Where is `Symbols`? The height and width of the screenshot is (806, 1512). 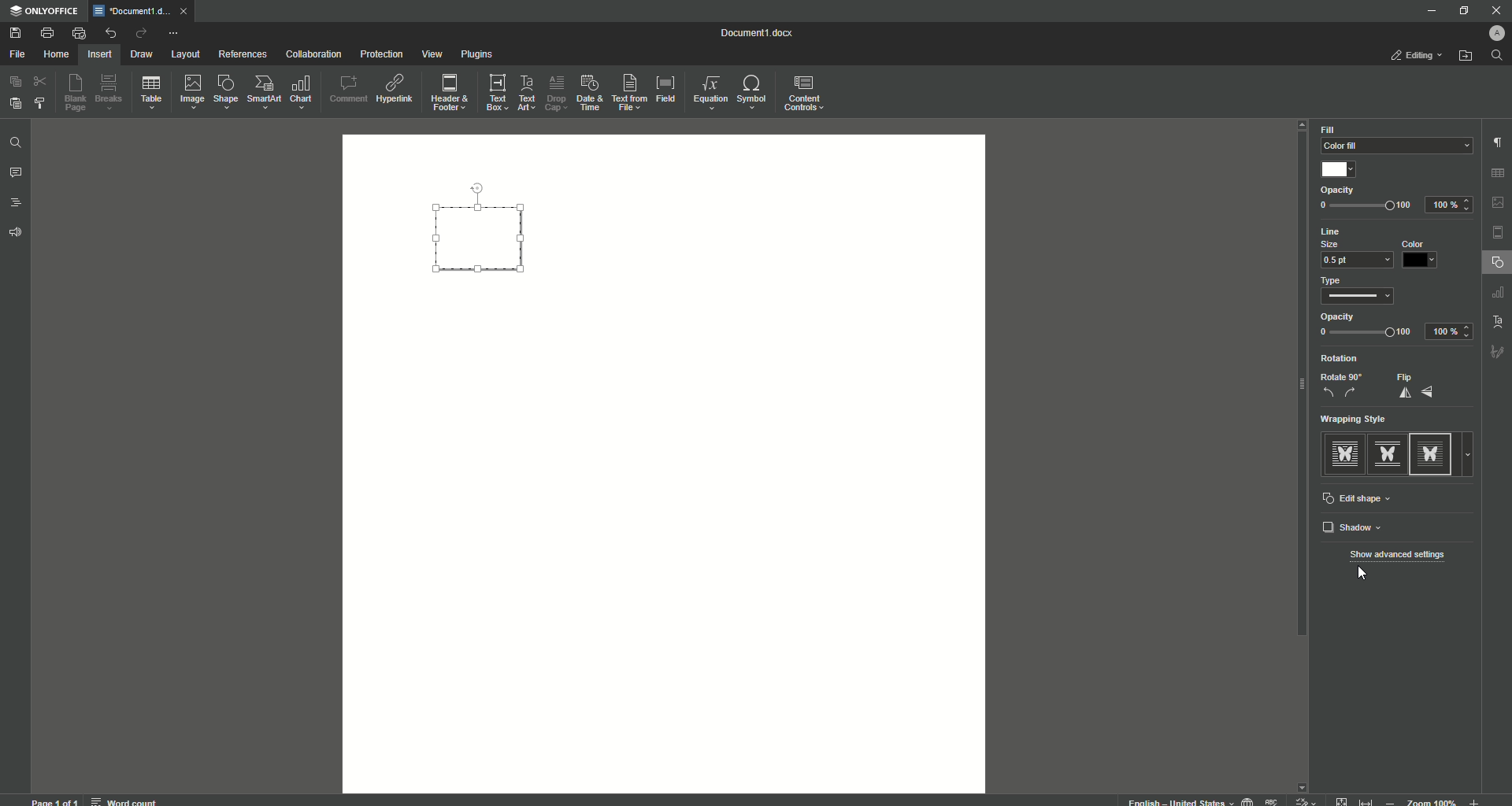
Symbols is located at coordinates (750, 92).